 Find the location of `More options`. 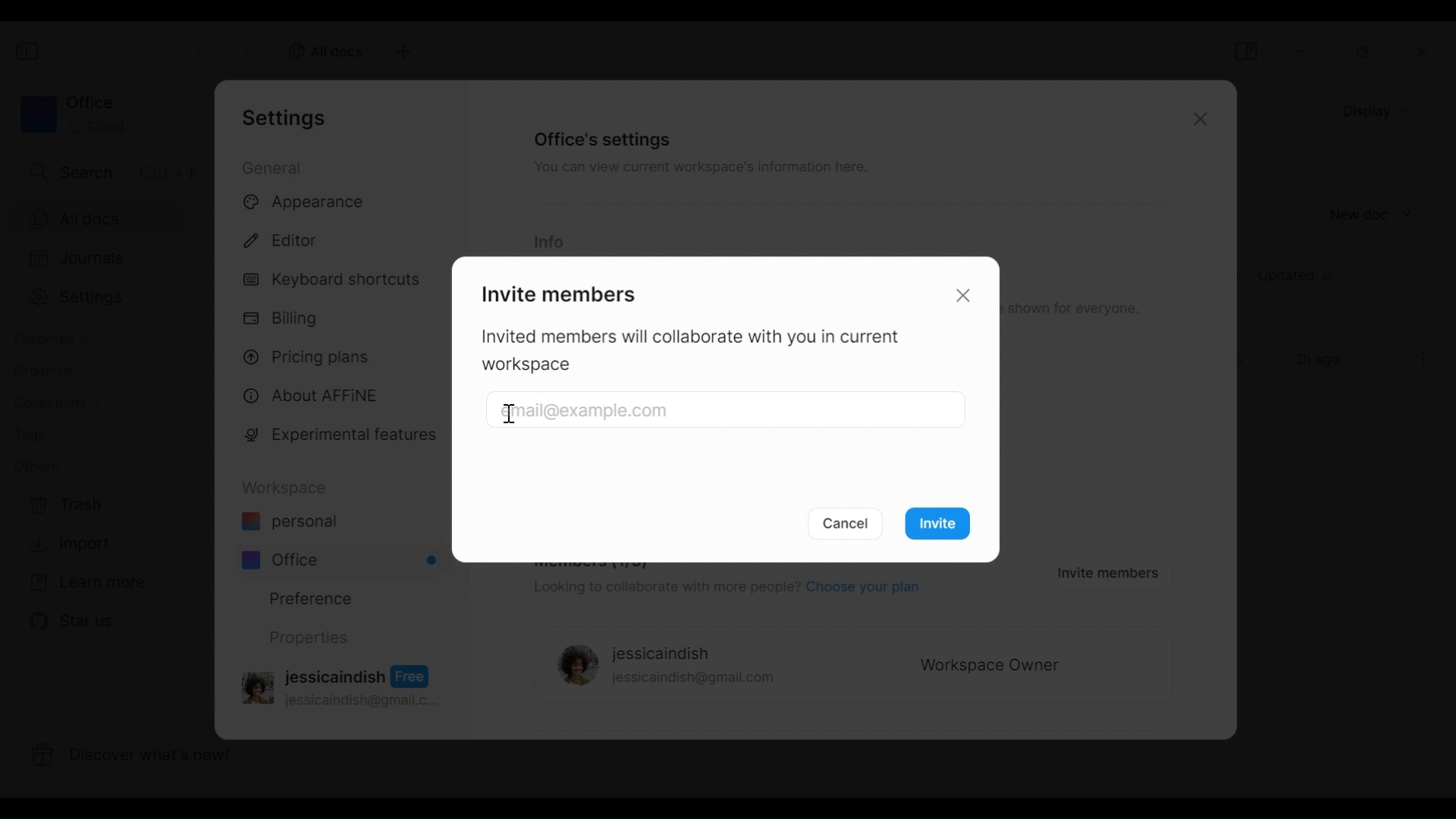

More options is located at coordinates (1424, 359).